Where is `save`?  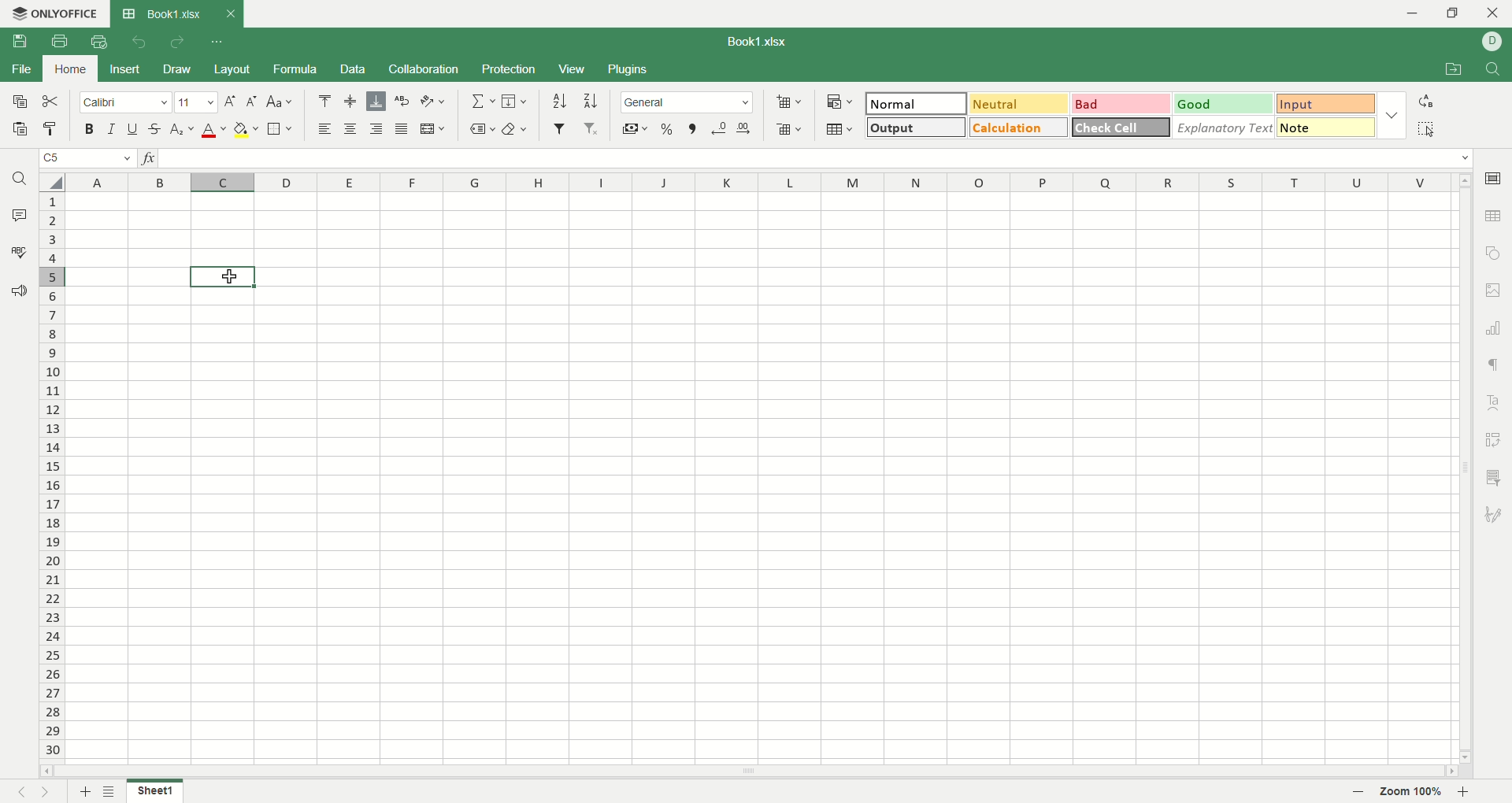
save is located at coordinates (26, 45).